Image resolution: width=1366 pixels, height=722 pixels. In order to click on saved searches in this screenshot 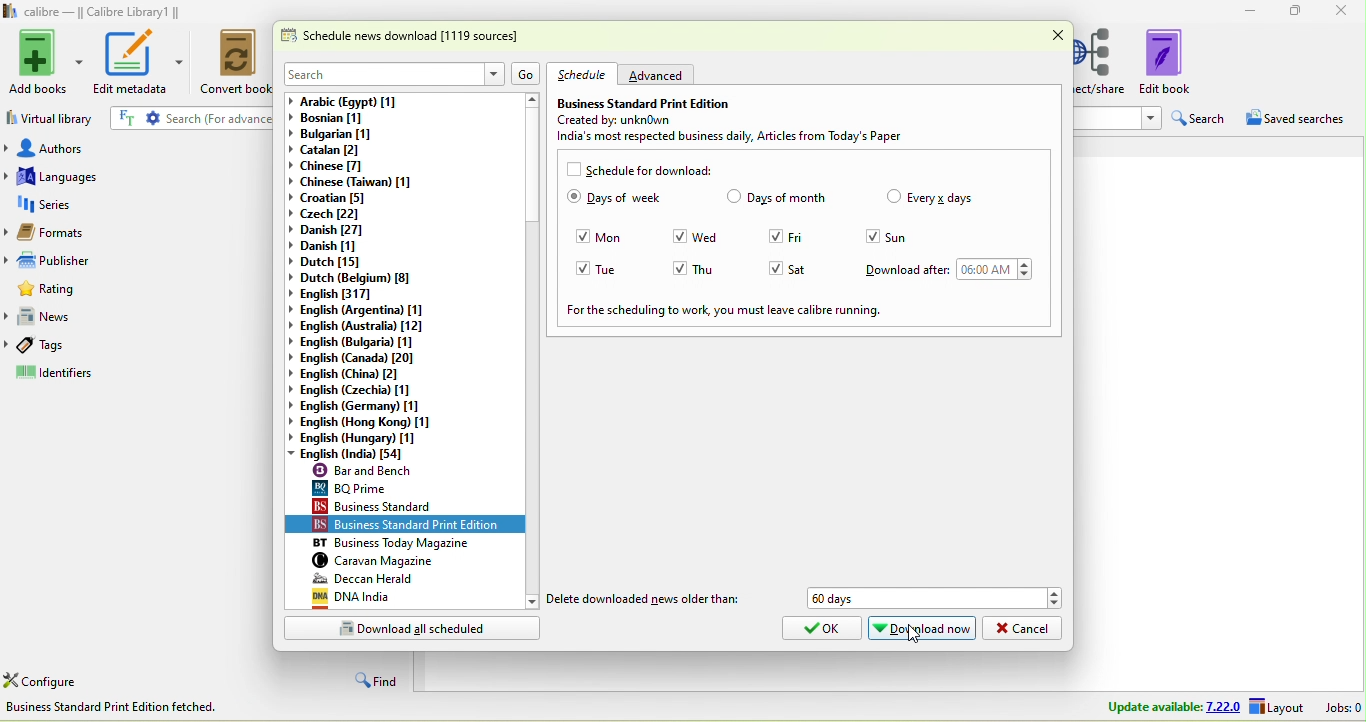, I will do `click(1296, 118)`.